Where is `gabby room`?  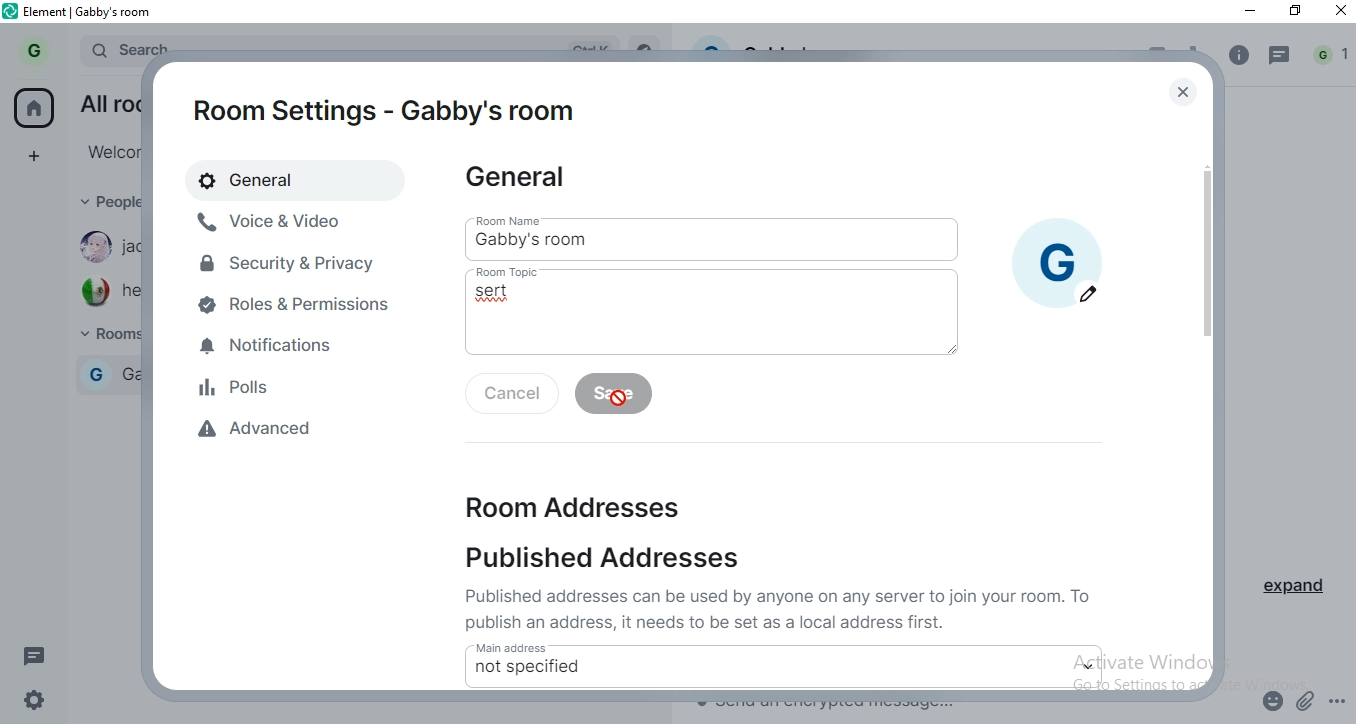
gabby room is located at coordinates (112, 372).